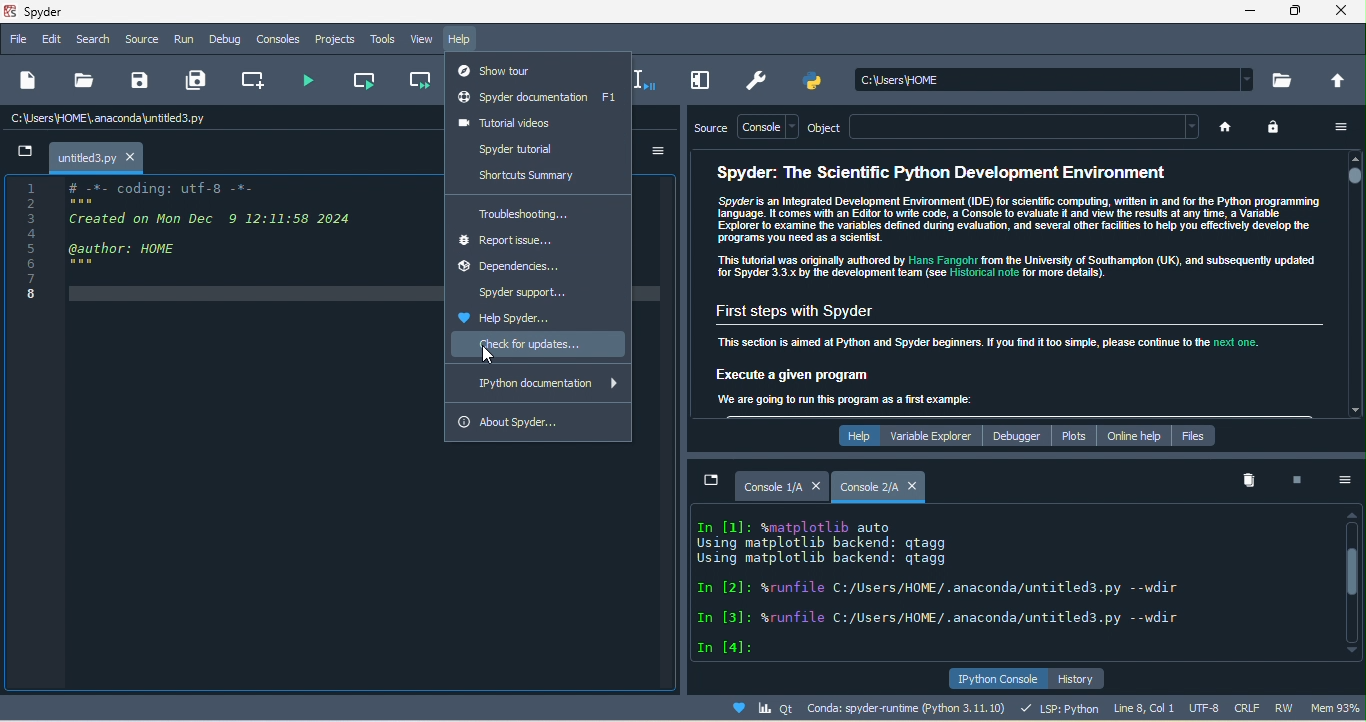 The height and width of the screenshot is (722, 1366). I want to click on help, so click(853, 435).